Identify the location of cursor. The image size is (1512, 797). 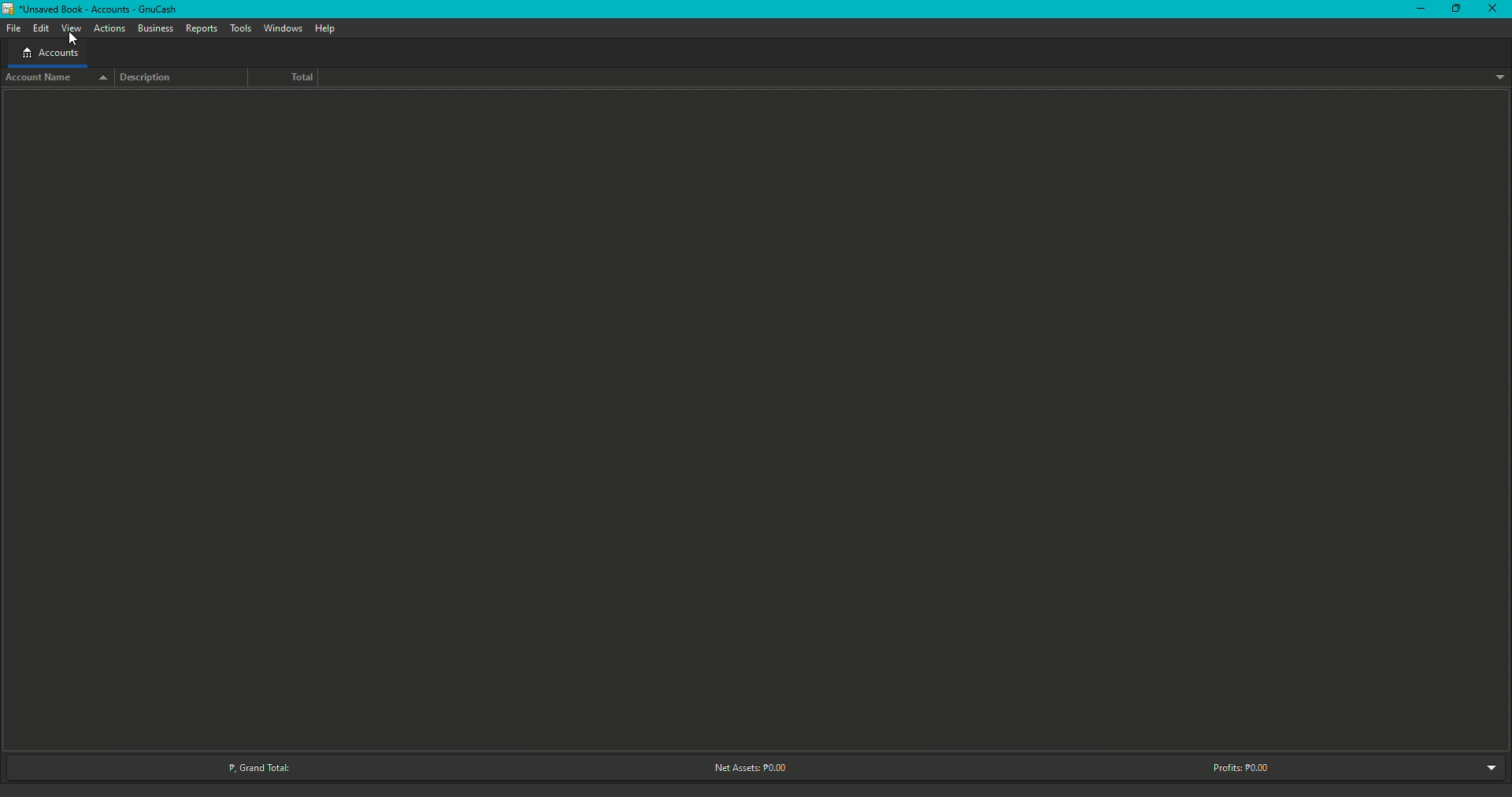
(75, 38).